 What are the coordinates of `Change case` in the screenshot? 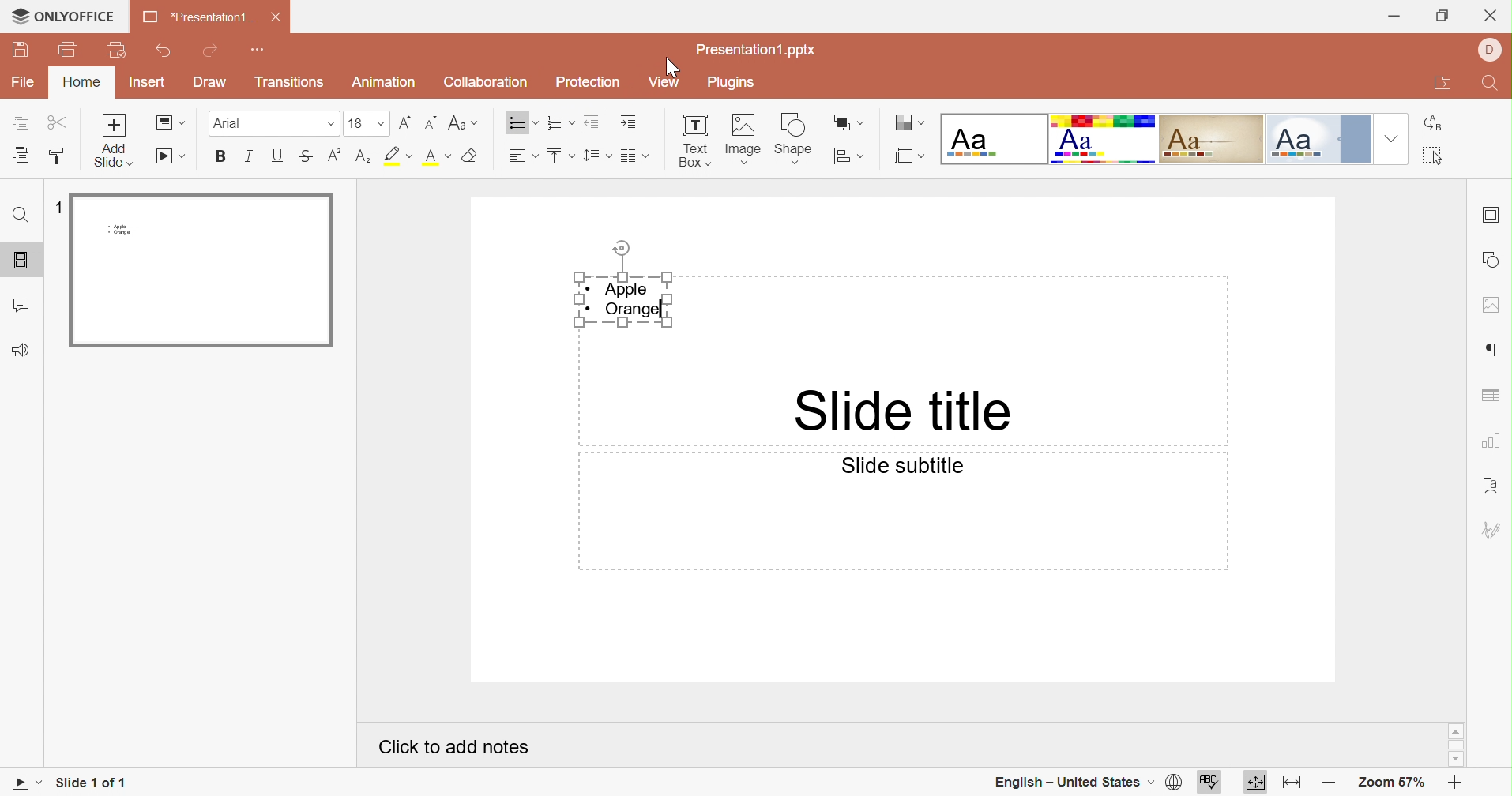 It's located at (465, 125).